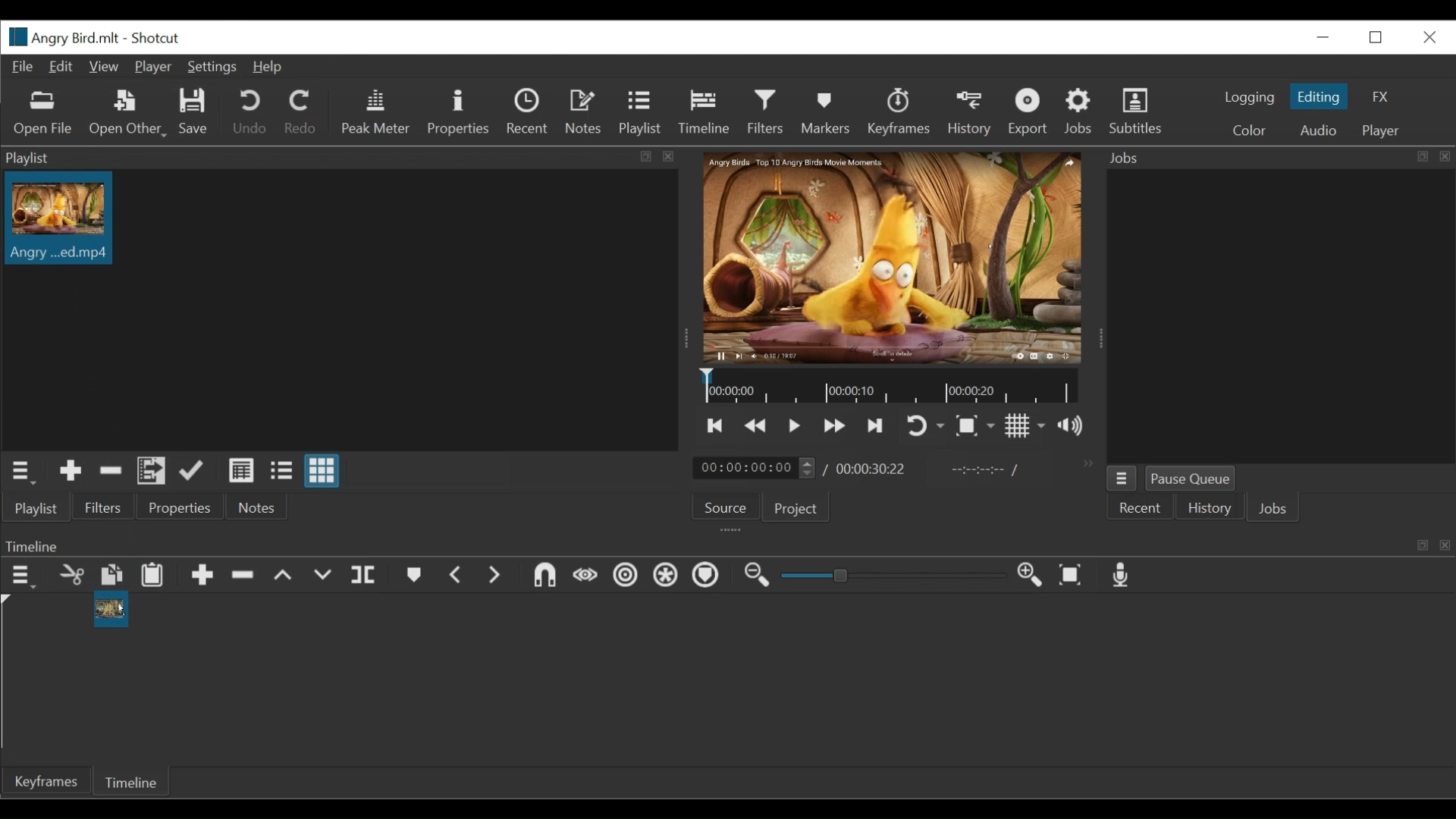 Image resolution: width=1456 pixels, height=819 pixels. I want to click on Markers, so click(826, 110).